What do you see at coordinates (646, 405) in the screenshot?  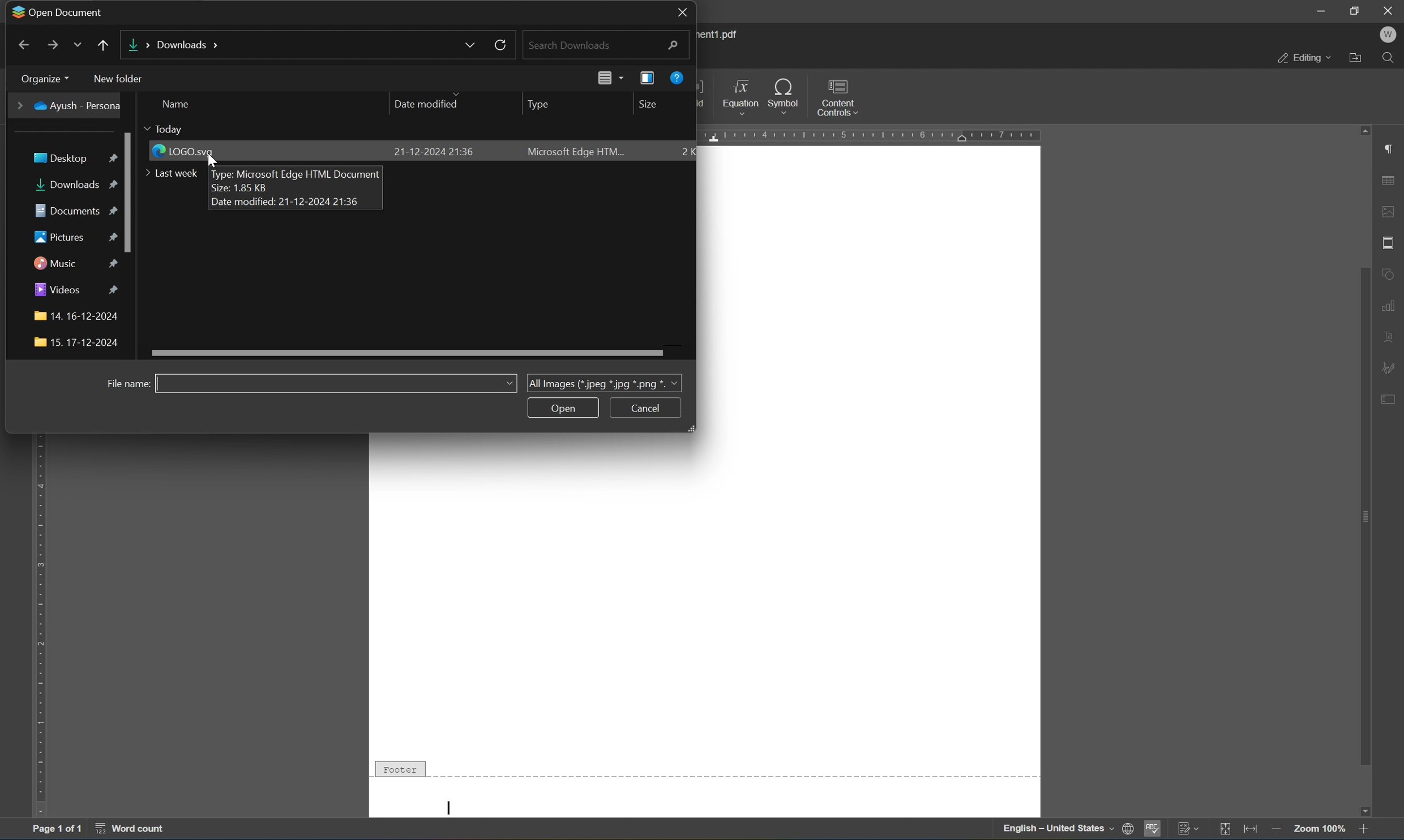 I see `Cancel` at bounding box center [646, 405].